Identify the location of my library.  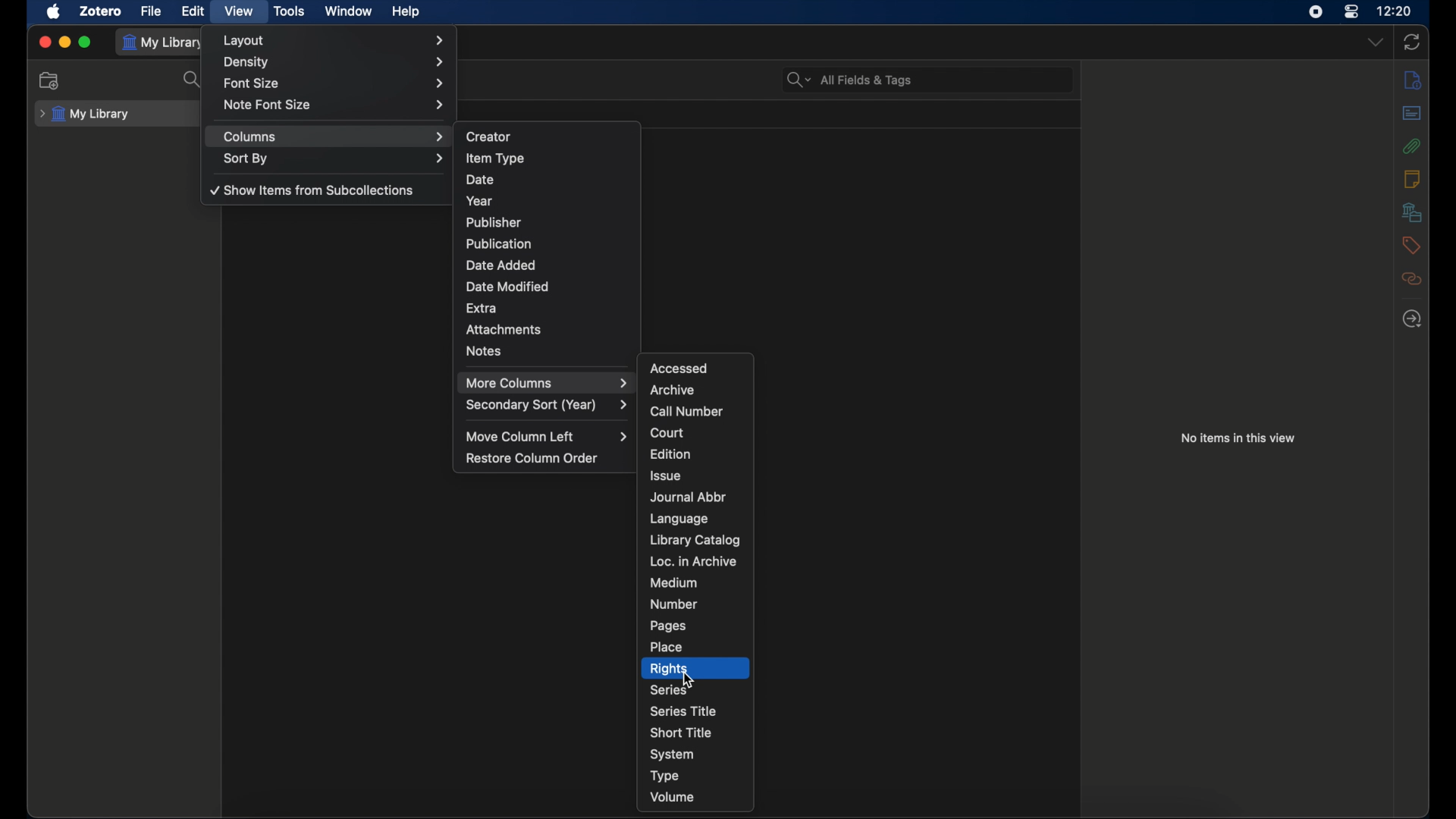
(165, 43).